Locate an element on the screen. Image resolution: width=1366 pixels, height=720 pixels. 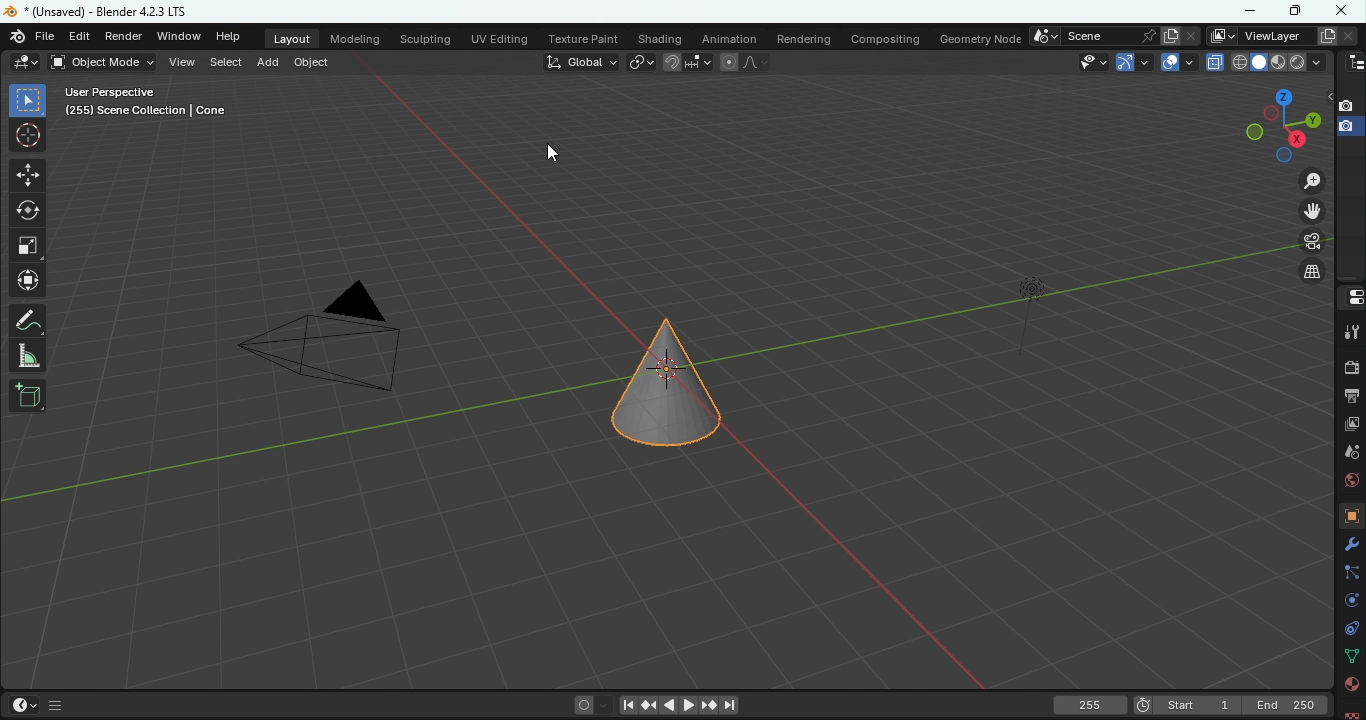
Scene is located at coordinates (1348, 453).